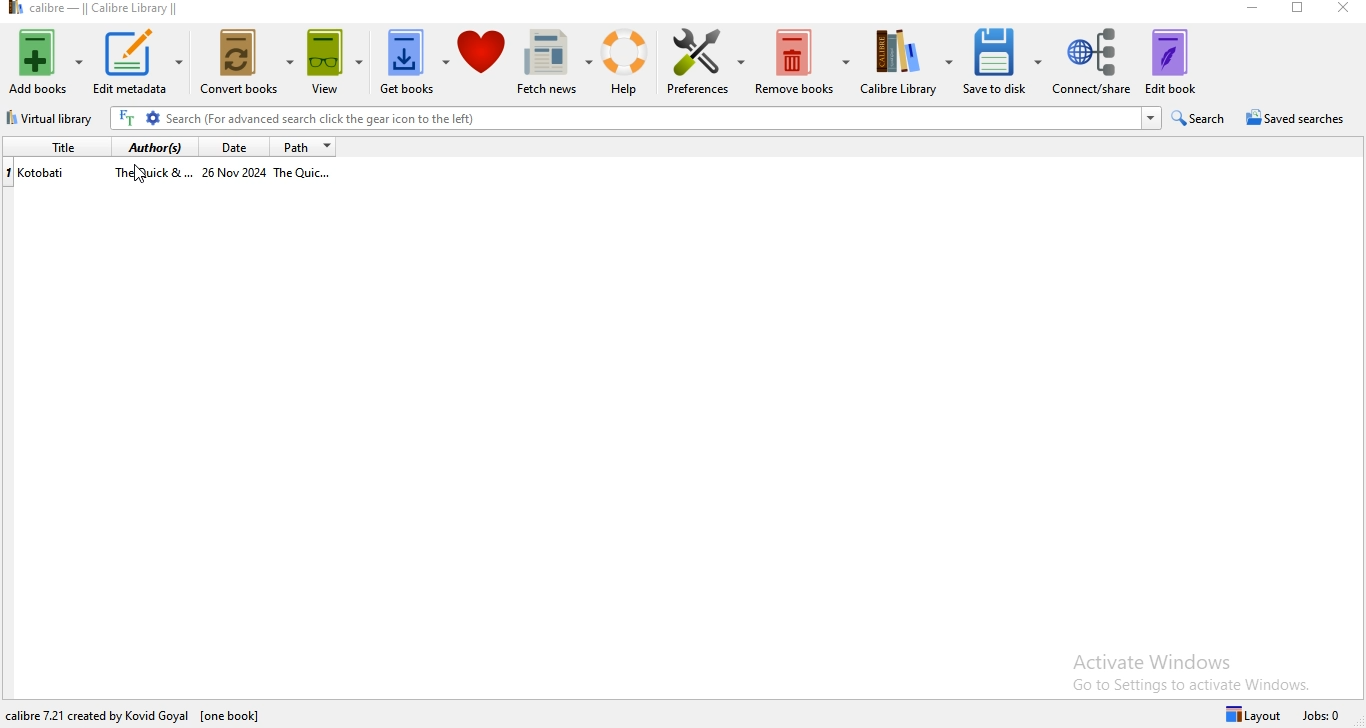  Describe the element at coordinates (1001, 64) in the screenshot. I see `save to disk` at that location.